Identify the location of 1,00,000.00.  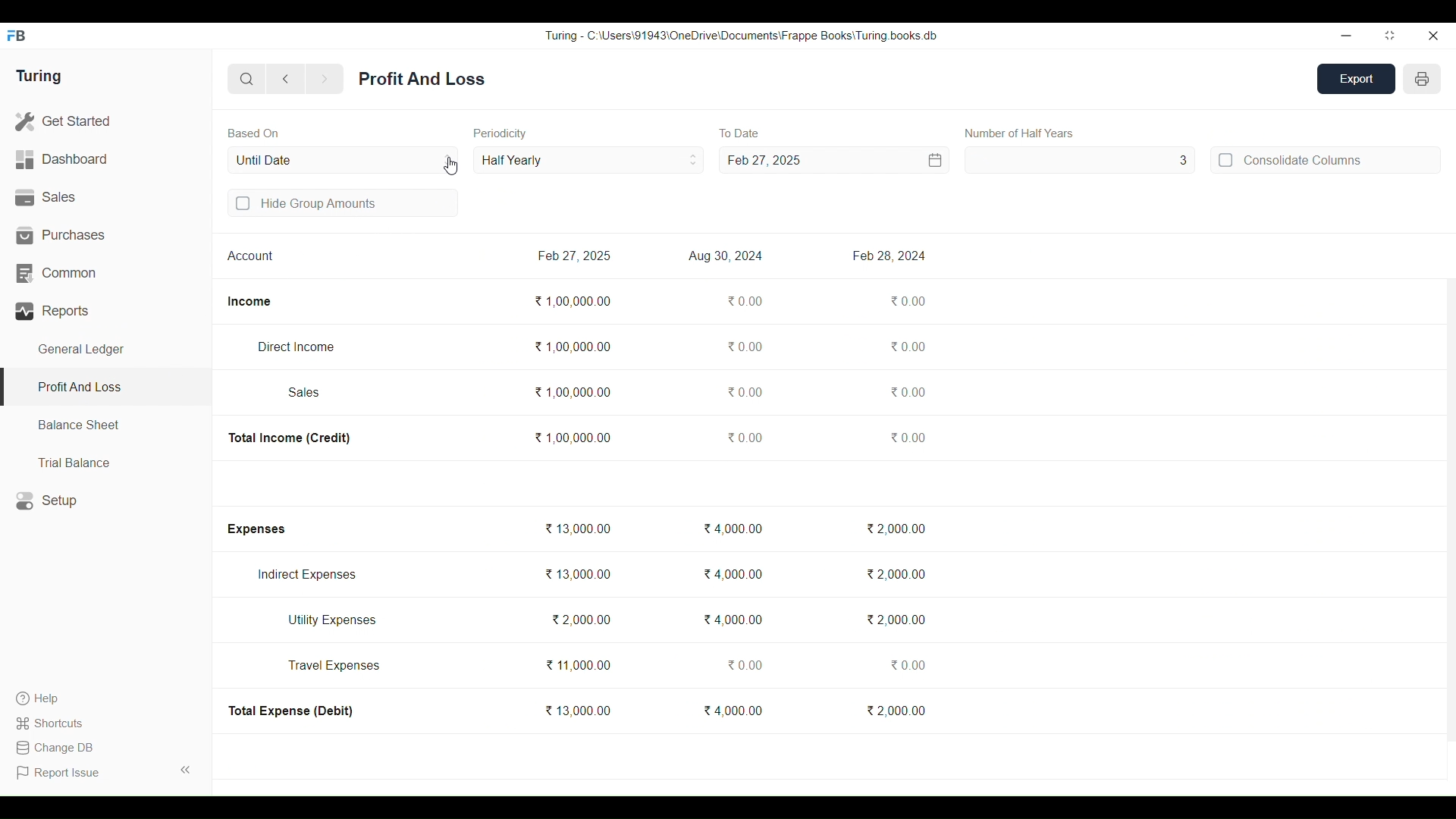
(572, 437).